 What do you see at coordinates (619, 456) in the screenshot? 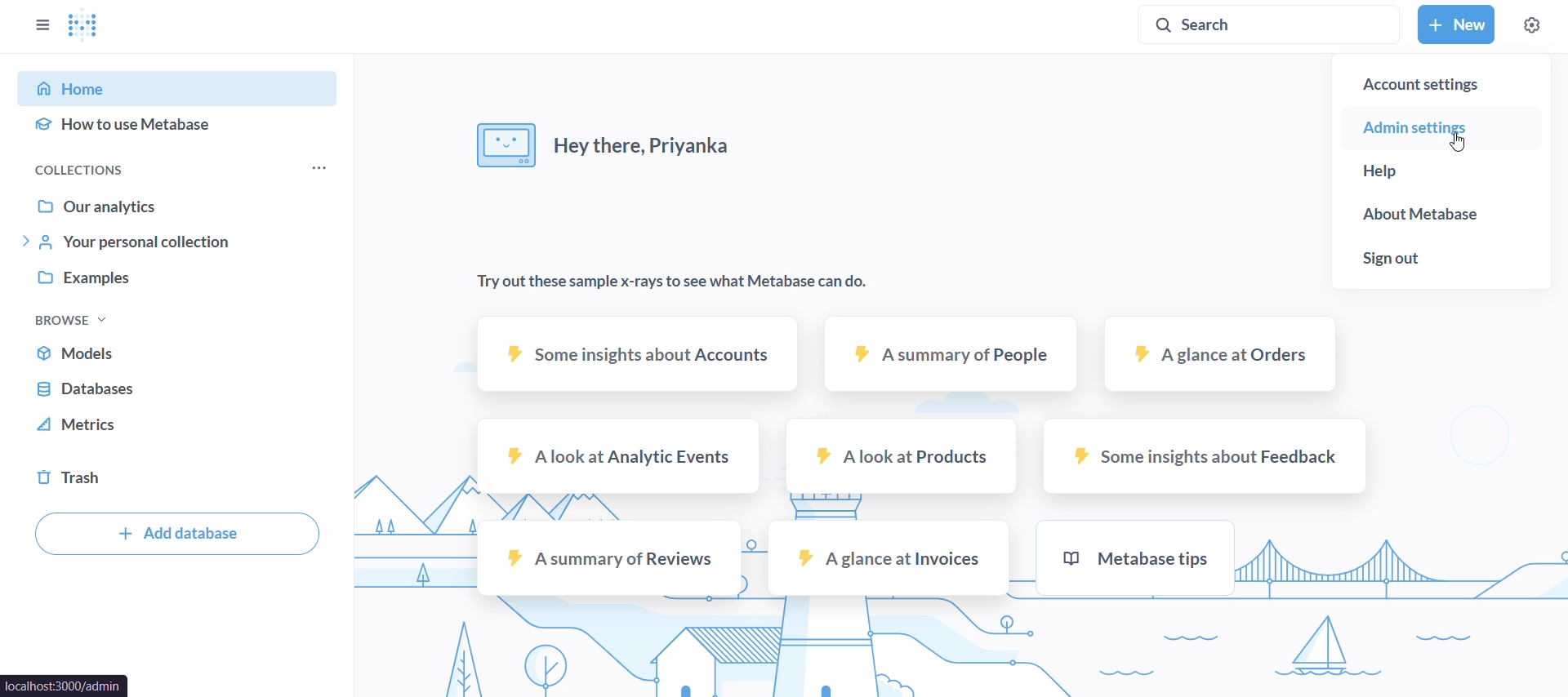
I see `a look at analytic events` at bounding box center [619, 456].